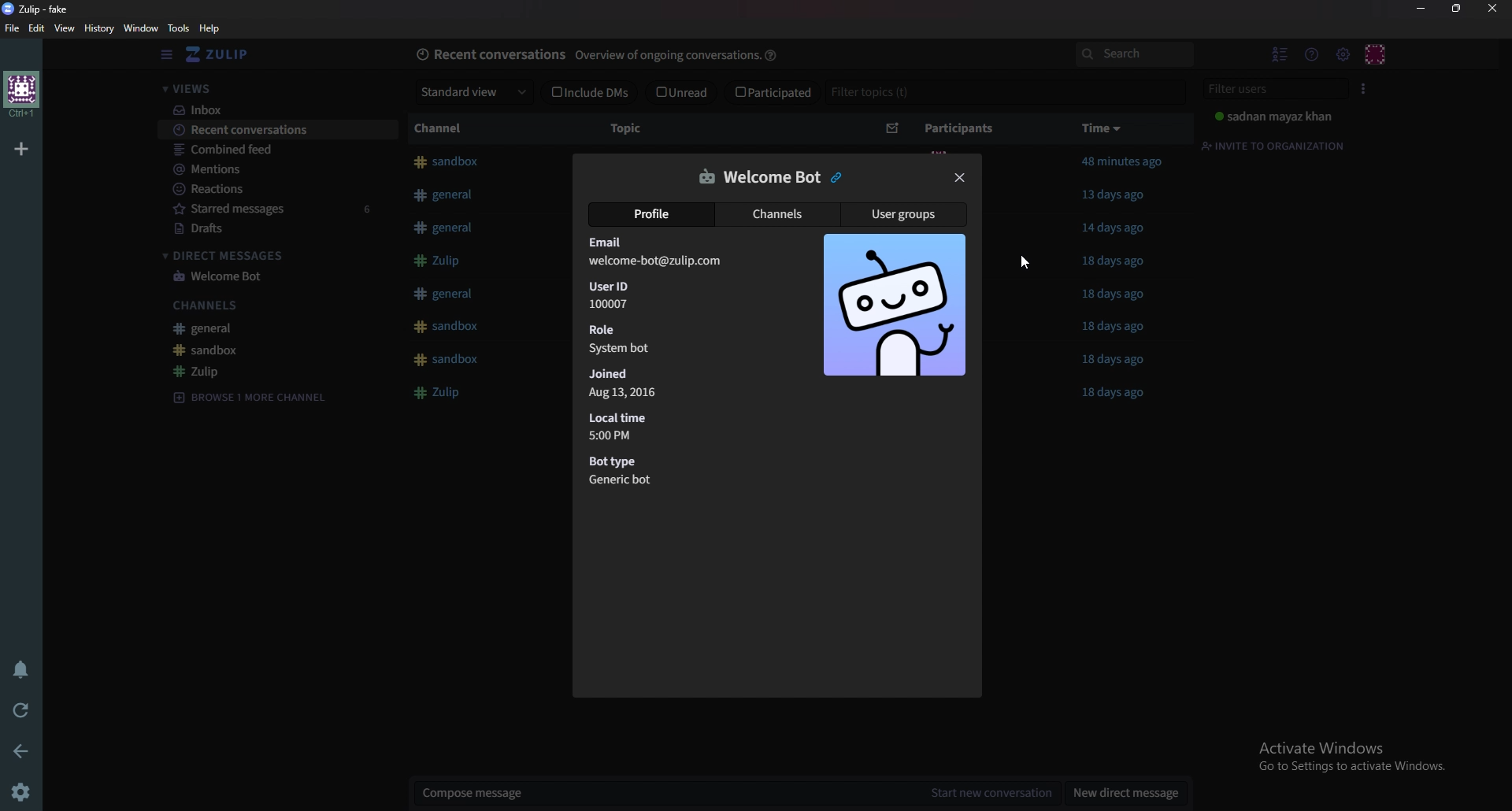 The image size is (1512, 811). Describe the element at coordinates (36, 27) in the screenshot. I see `edit` at that location.